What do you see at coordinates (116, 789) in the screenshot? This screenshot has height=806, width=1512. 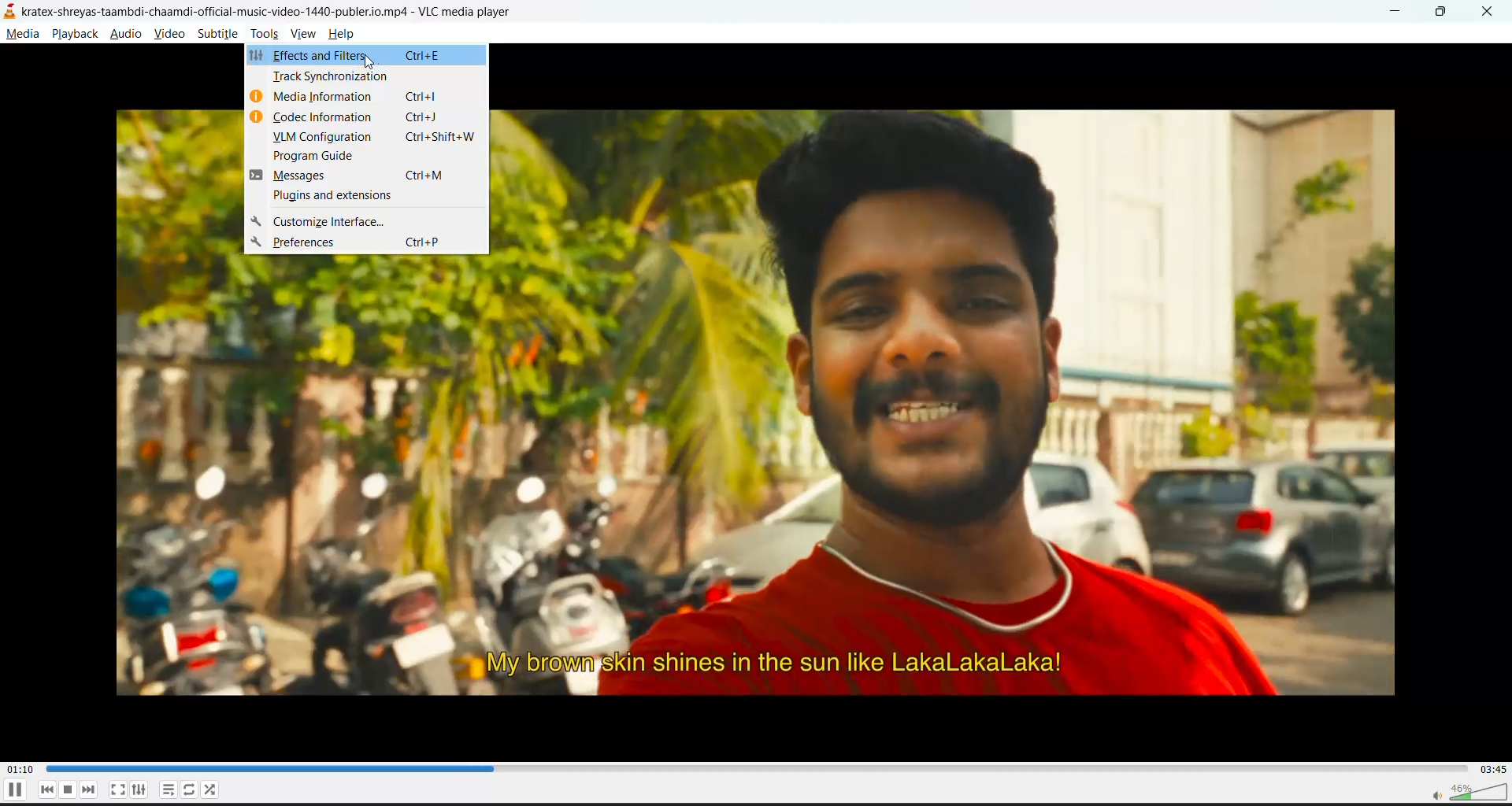 I see `full screen` at bounding box center [116, 789].